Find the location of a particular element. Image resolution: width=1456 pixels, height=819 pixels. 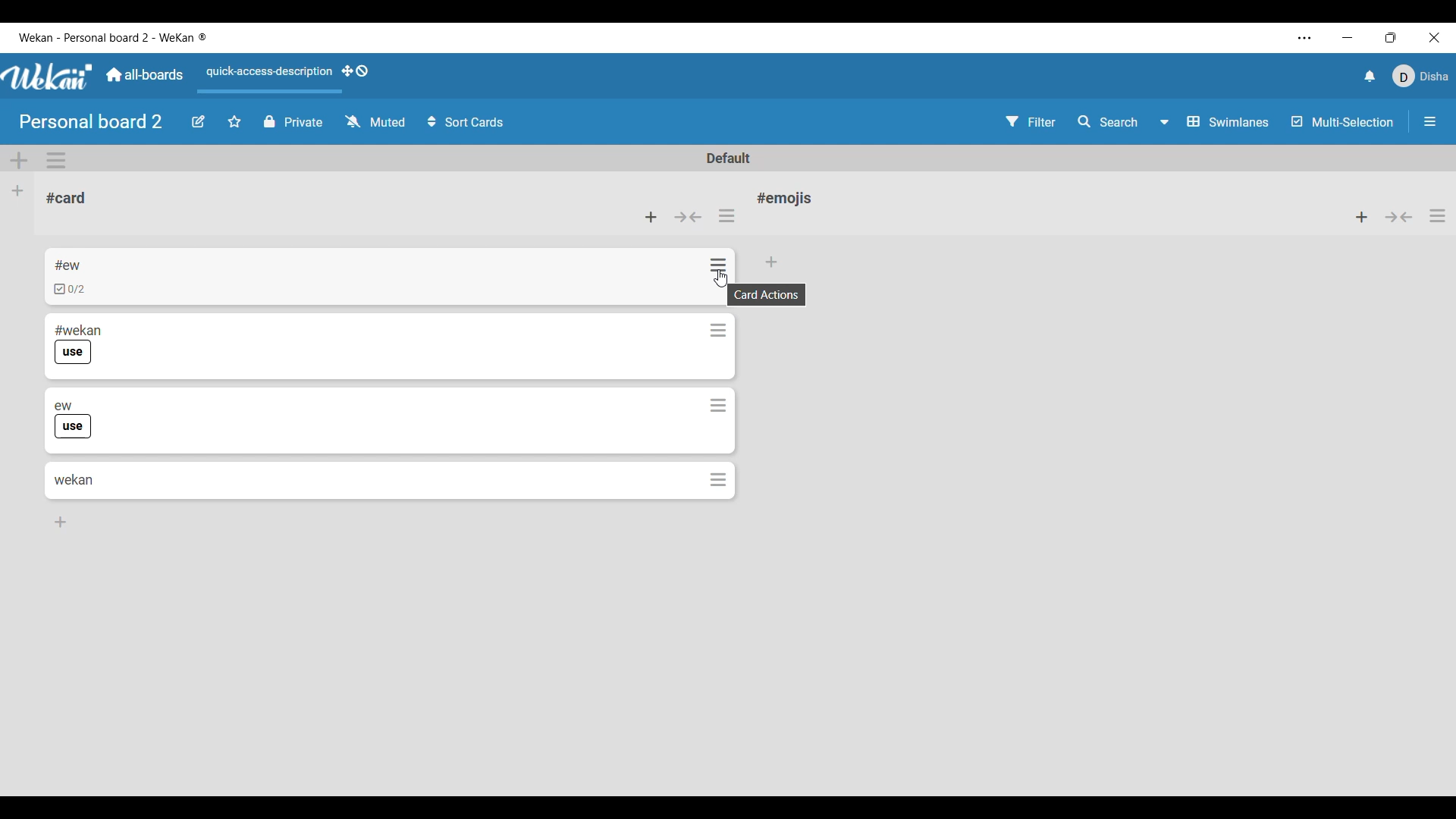

Star board is located at coordinates (234, 121).